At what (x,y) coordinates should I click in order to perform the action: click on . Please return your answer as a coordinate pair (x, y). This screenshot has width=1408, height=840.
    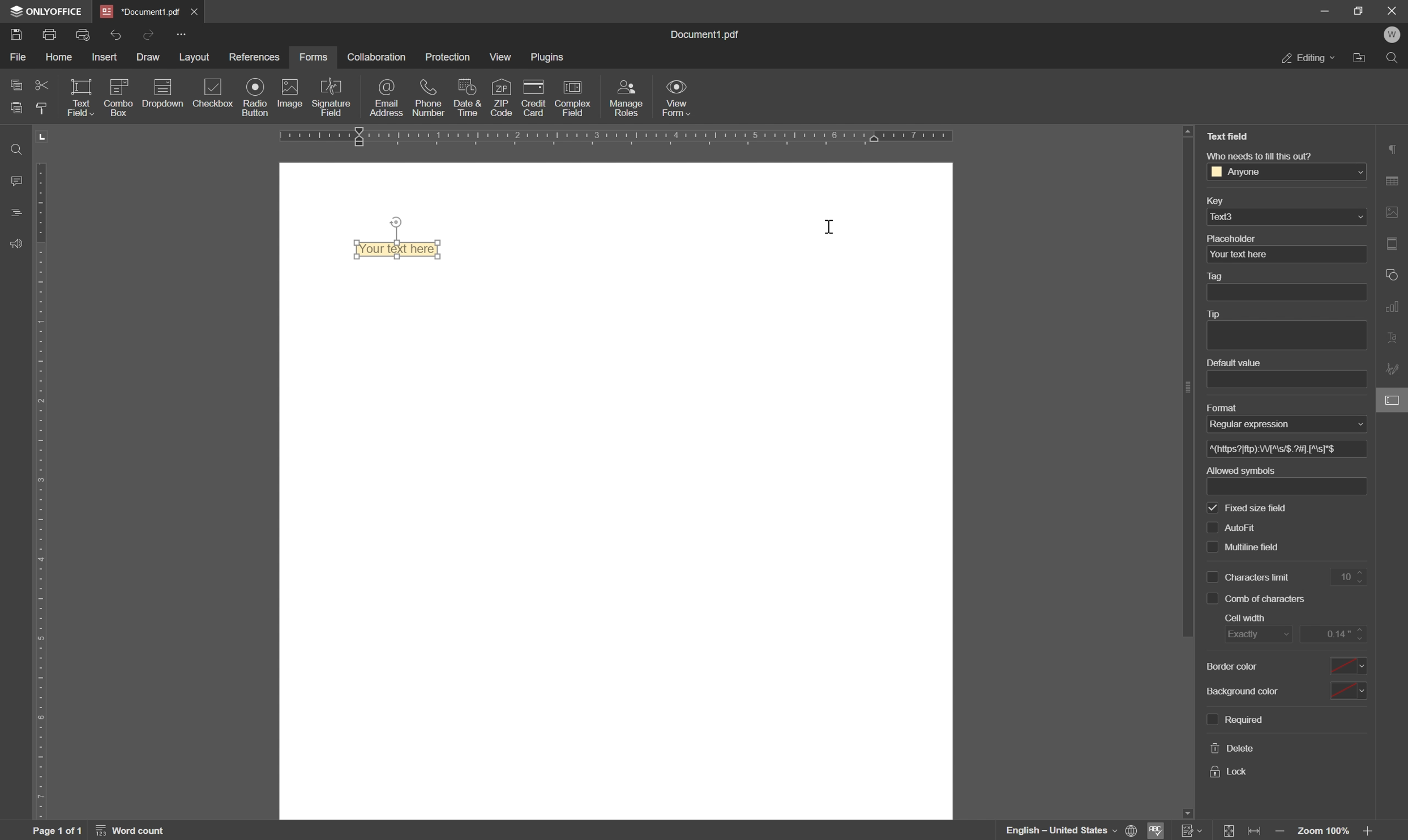
    Looking at the image, I should click on (710, 35).